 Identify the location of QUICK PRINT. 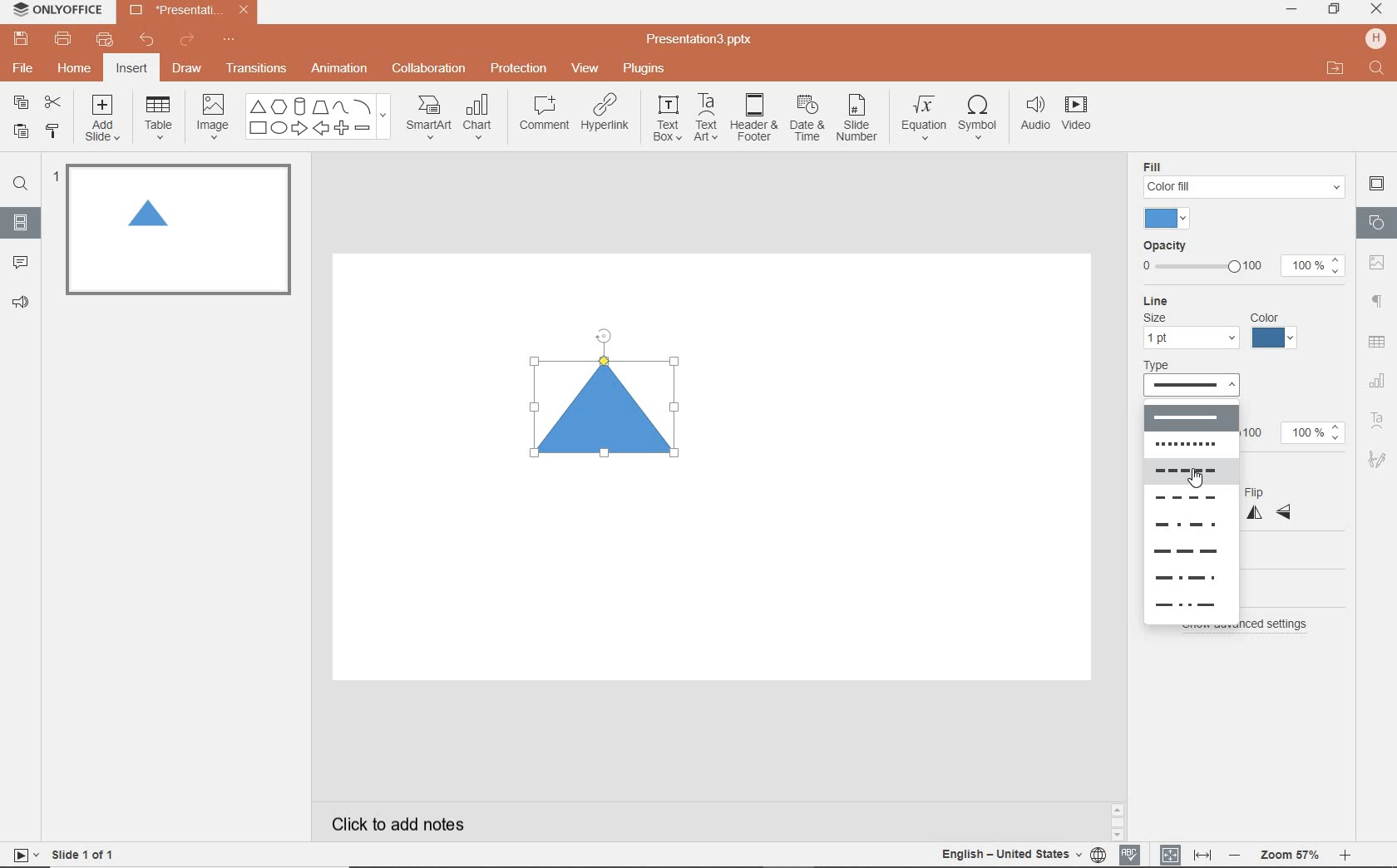
(104, 41).